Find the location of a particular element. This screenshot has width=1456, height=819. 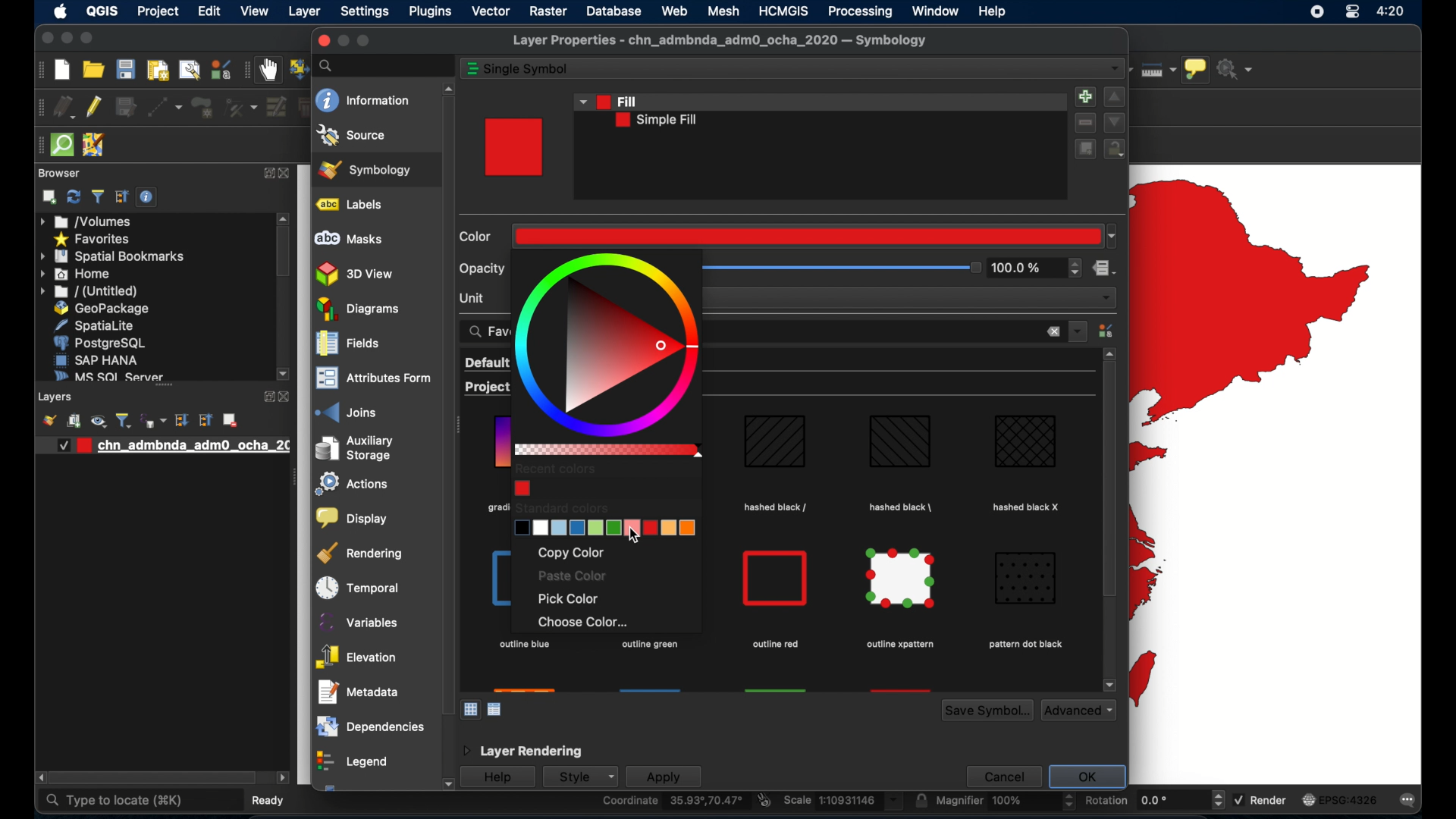

enable/disbale properties widget is located at coordinates (149, 197).